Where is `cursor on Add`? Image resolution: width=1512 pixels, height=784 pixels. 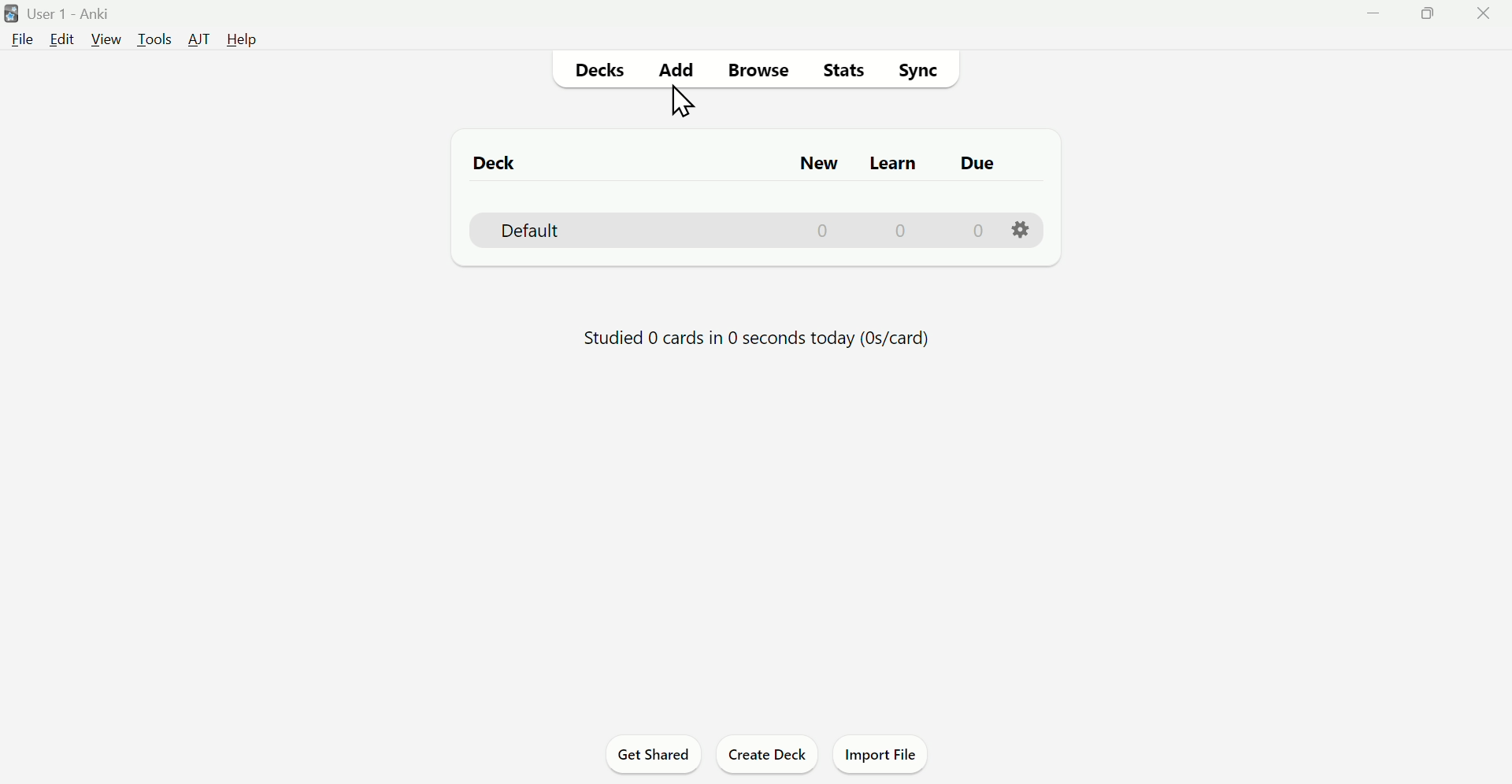
cursor on Add is located at coordinates (684, 103).